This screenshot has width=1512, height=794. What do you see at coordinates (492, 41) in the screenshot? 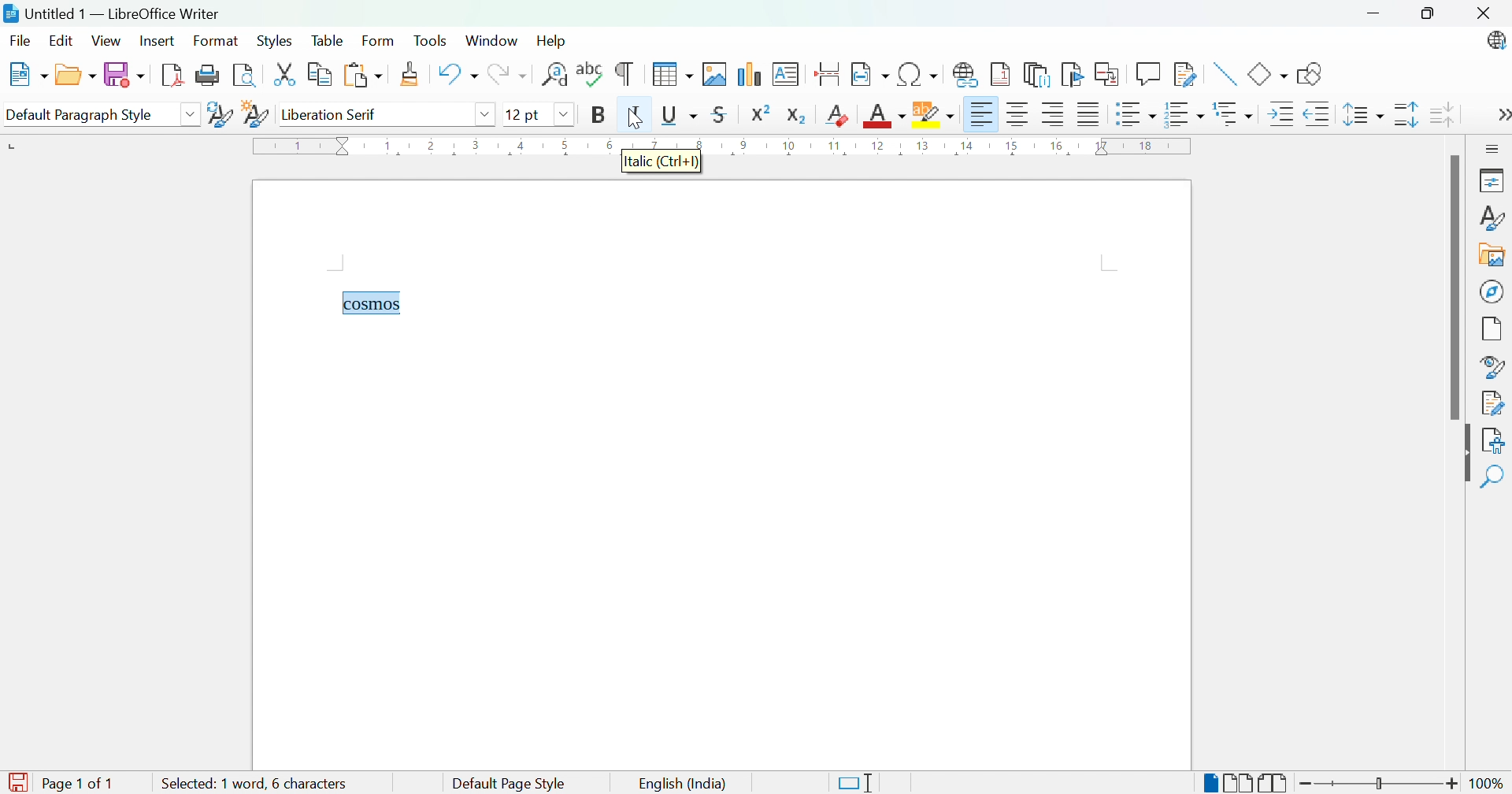
I see `Window` at bounding box center [492, 41].